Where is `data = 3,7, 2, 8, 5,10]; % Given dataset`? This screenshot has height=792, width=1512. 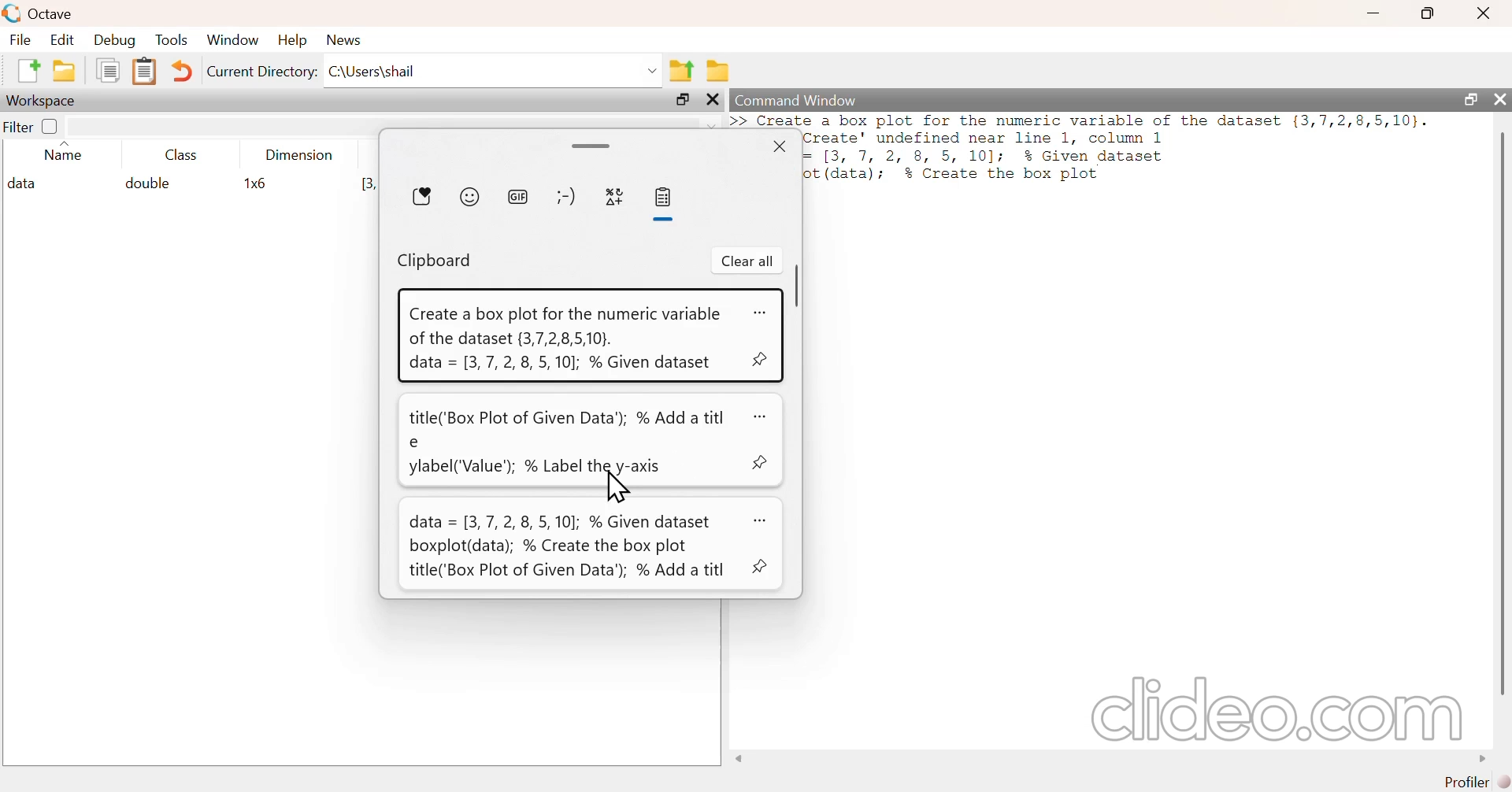
data = 3,7, 2, 8, 5,10]; % Given dataset is located at coordinates (556, 365).